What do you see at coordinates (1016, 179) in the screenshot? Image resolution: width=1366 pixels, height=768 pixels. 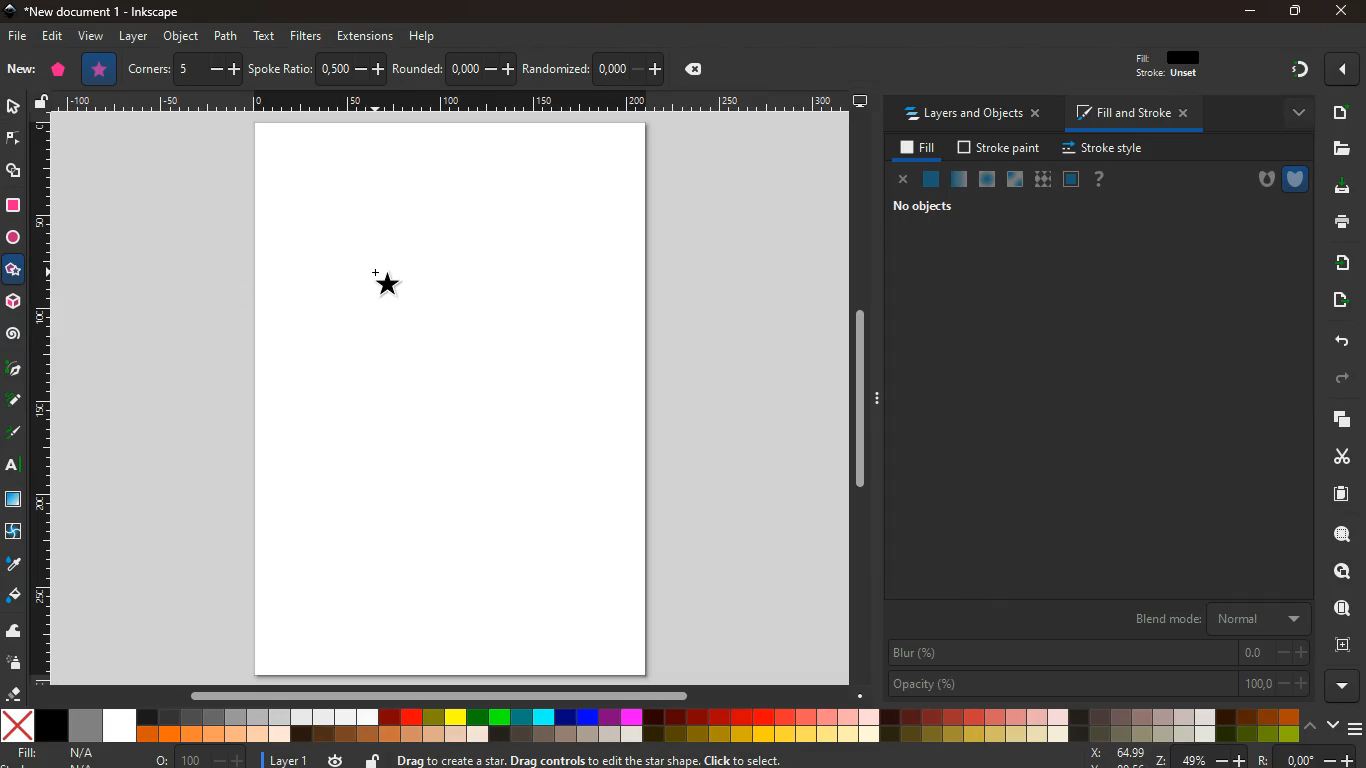 I see `glass` at bounding box center [1016, 179].